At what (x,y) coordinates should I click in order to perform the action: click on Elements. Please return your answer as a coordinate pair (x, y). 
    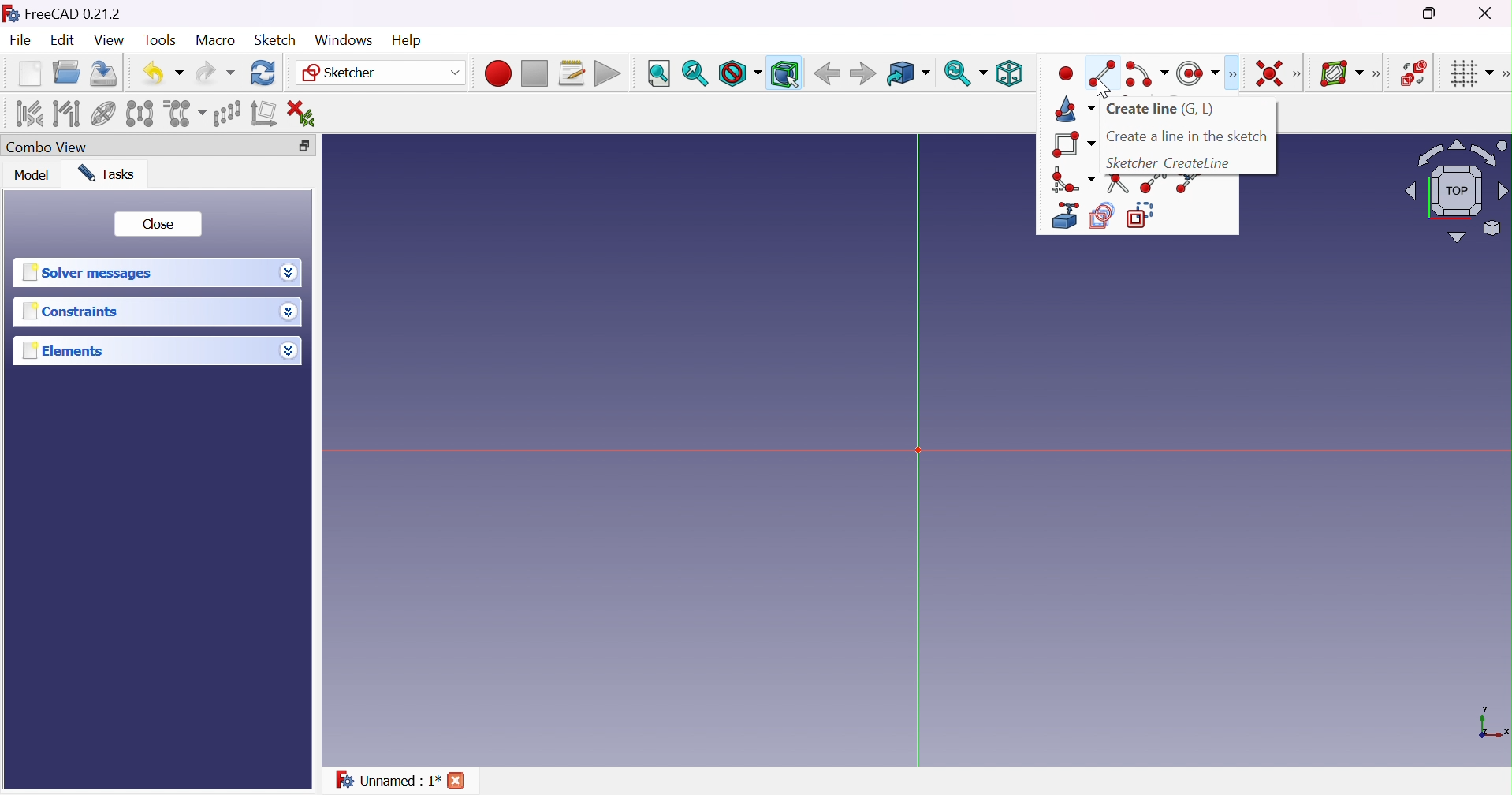
    Looking at the image, I should click on (72, 351).